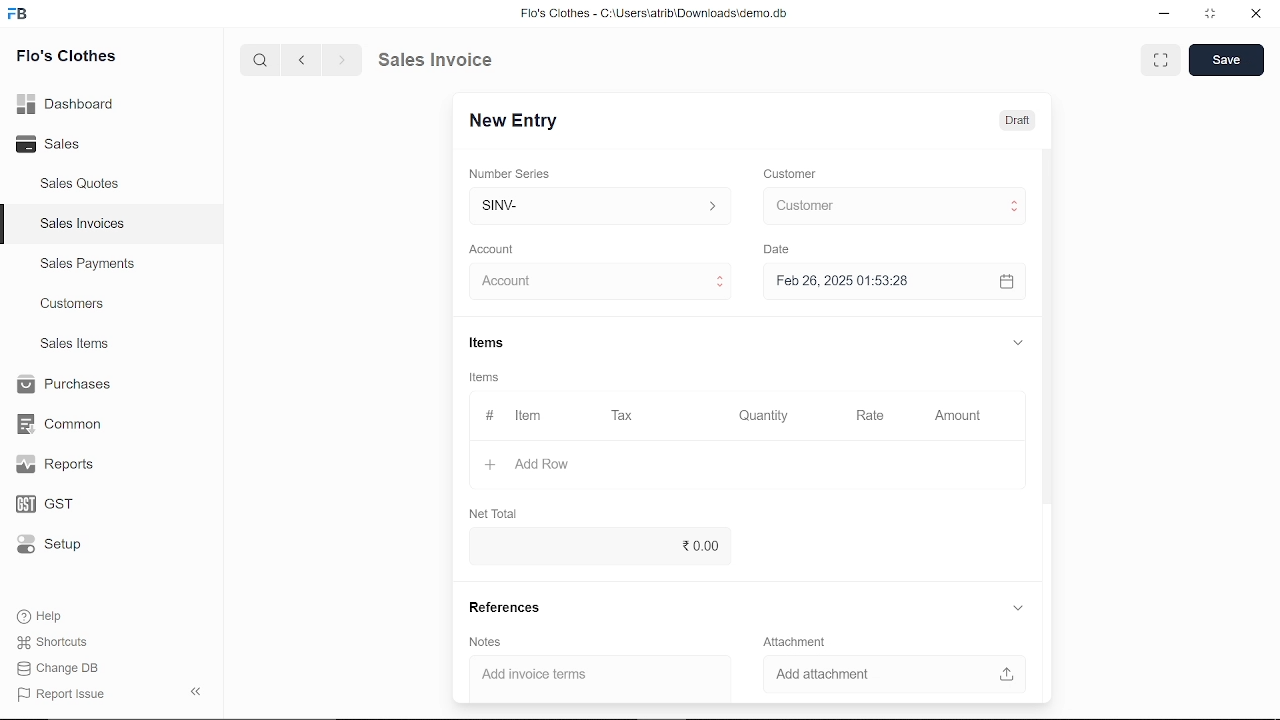  What do you see at coordinates (517, 417) in the screenshot?
I see `Item` at bounding box center [517, 417].